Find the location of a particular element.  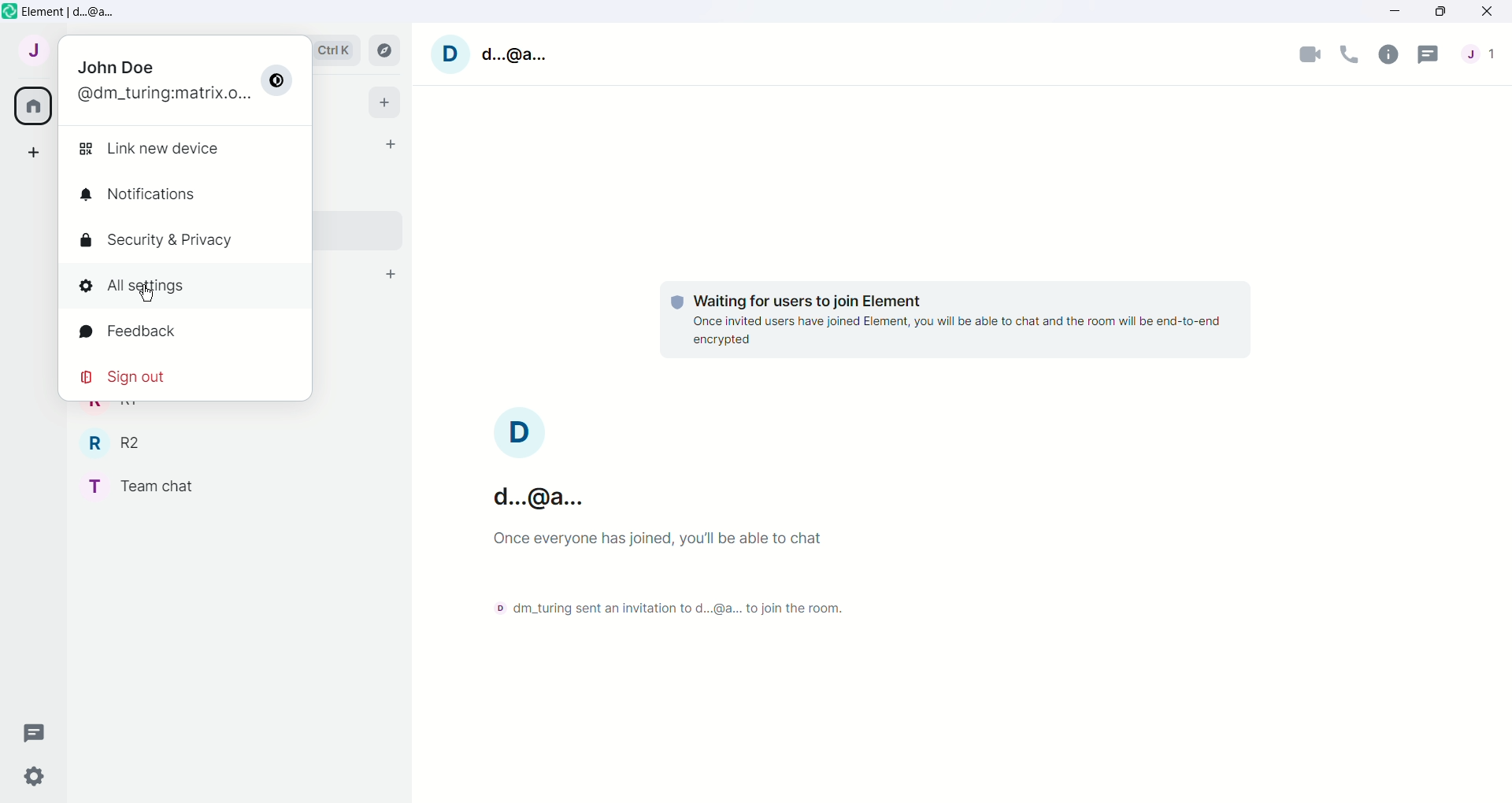

Threads is located at coordinates (35, 732).